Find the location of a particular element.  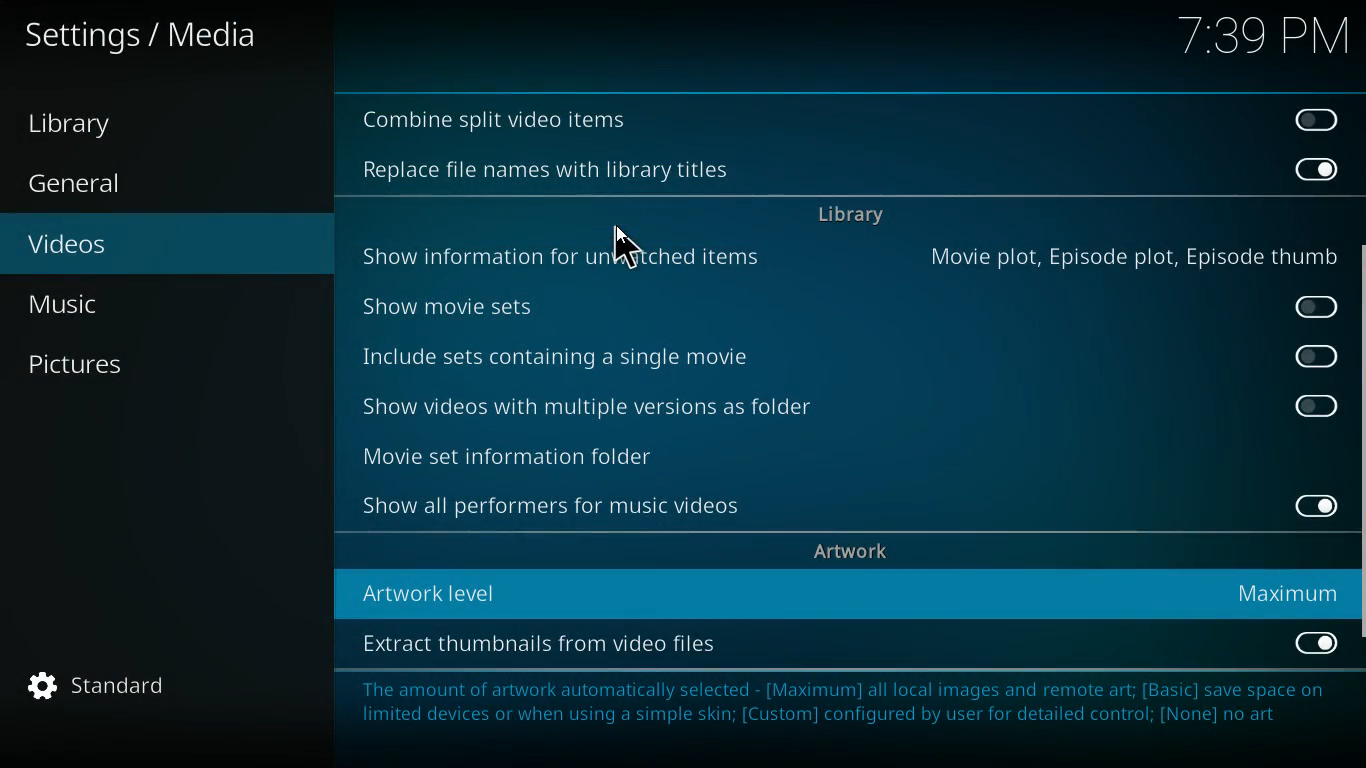

off is located at coordinates (1318, 357).